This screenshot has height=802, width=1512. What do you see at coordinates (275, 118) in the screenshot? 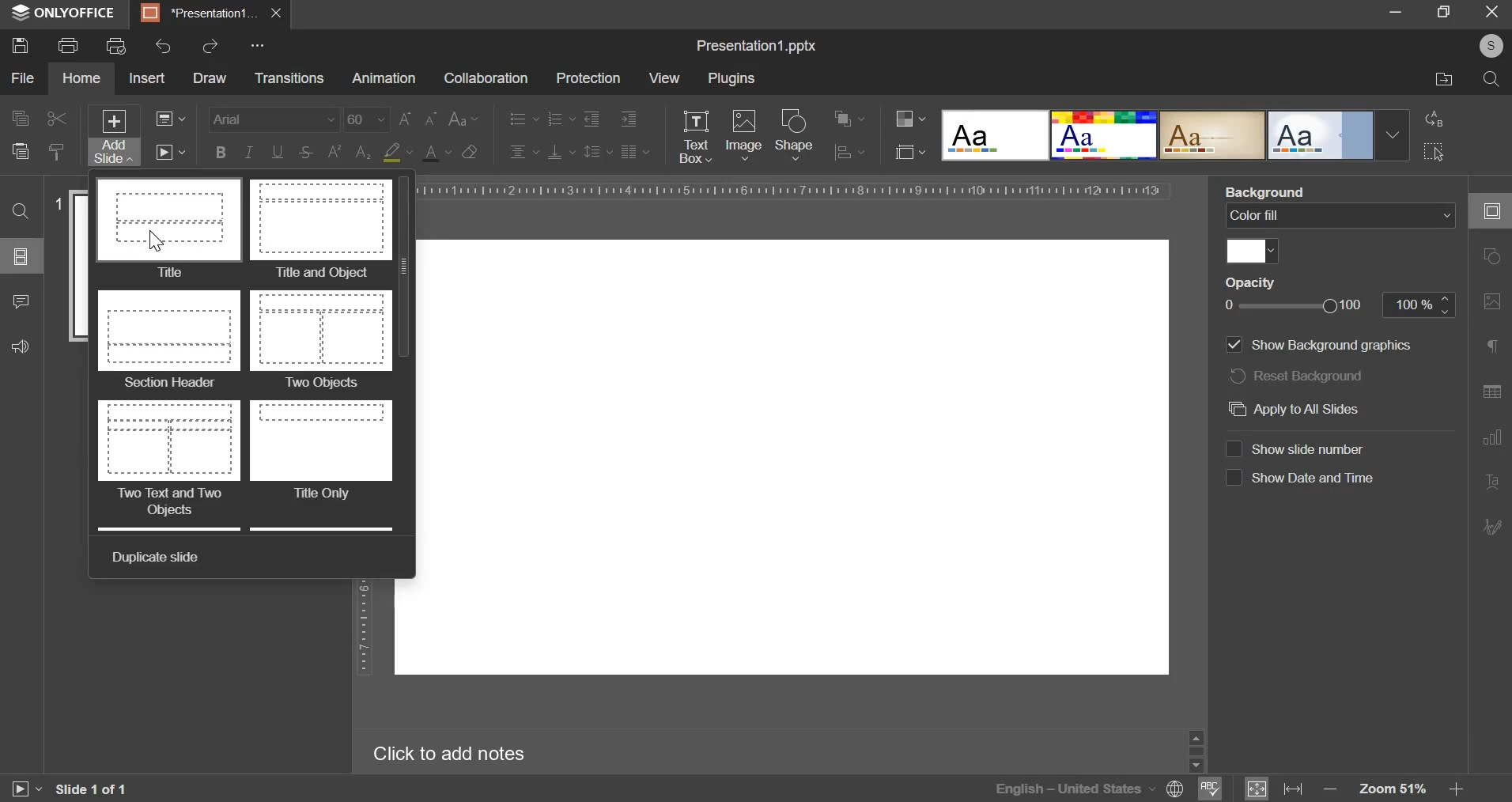
I see `font` at bounding box center [275, 118].